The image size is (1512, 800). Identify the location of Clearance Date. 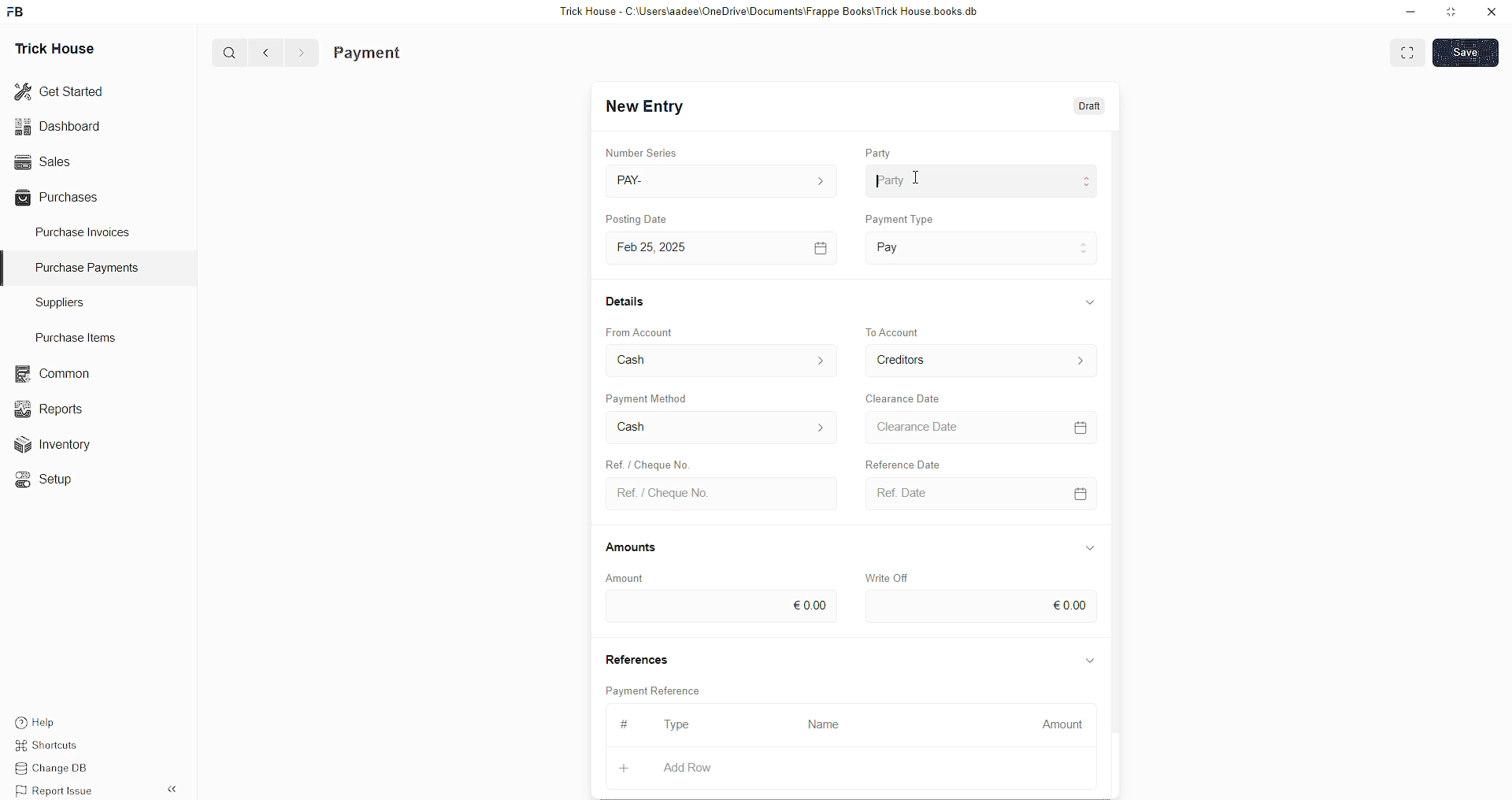
(906, 397).